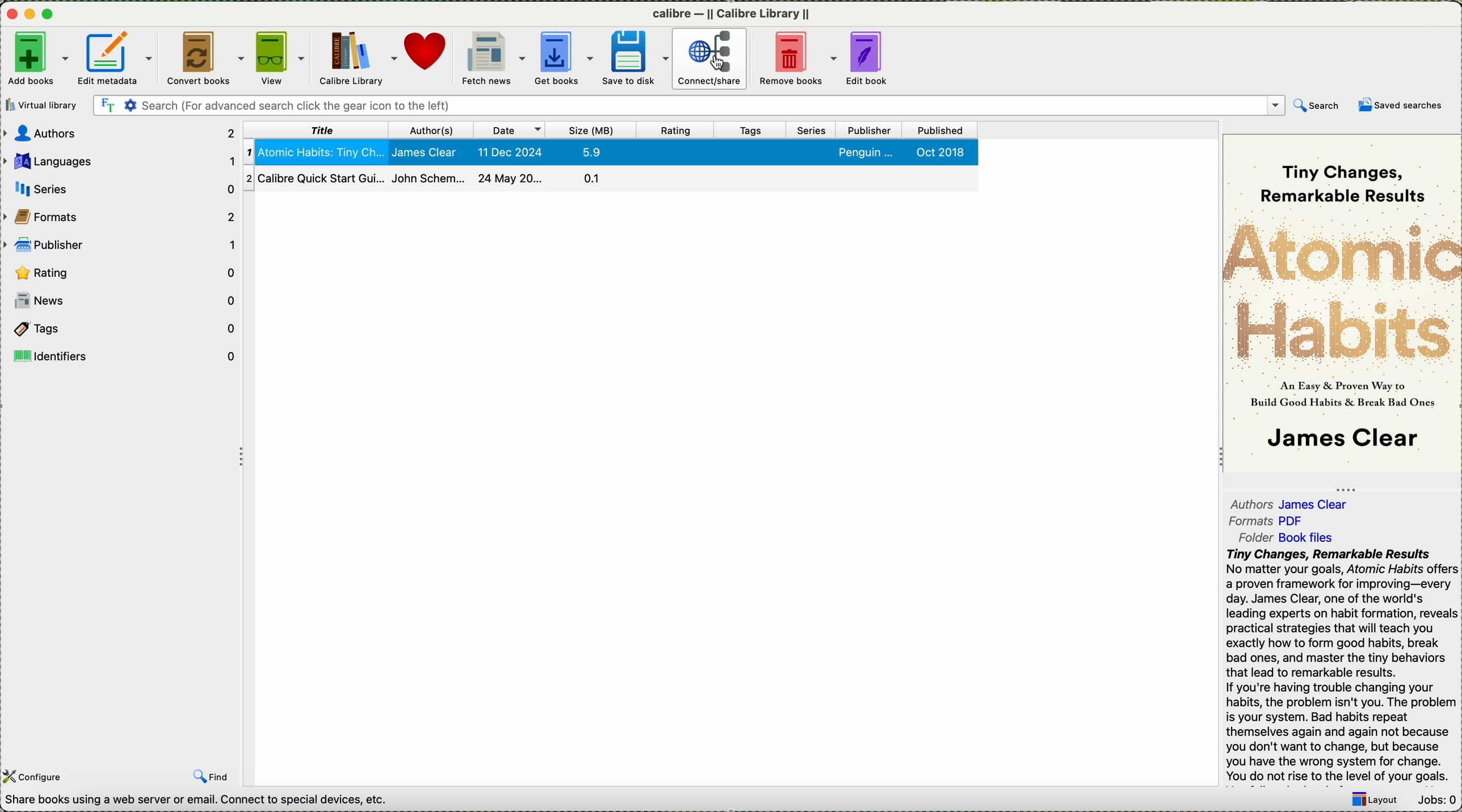 Image resolution: width=1462 pixels, height=812 pixels. Describe the element at coordinates (434, 129) in the screenshot. I see `authors` at that location.